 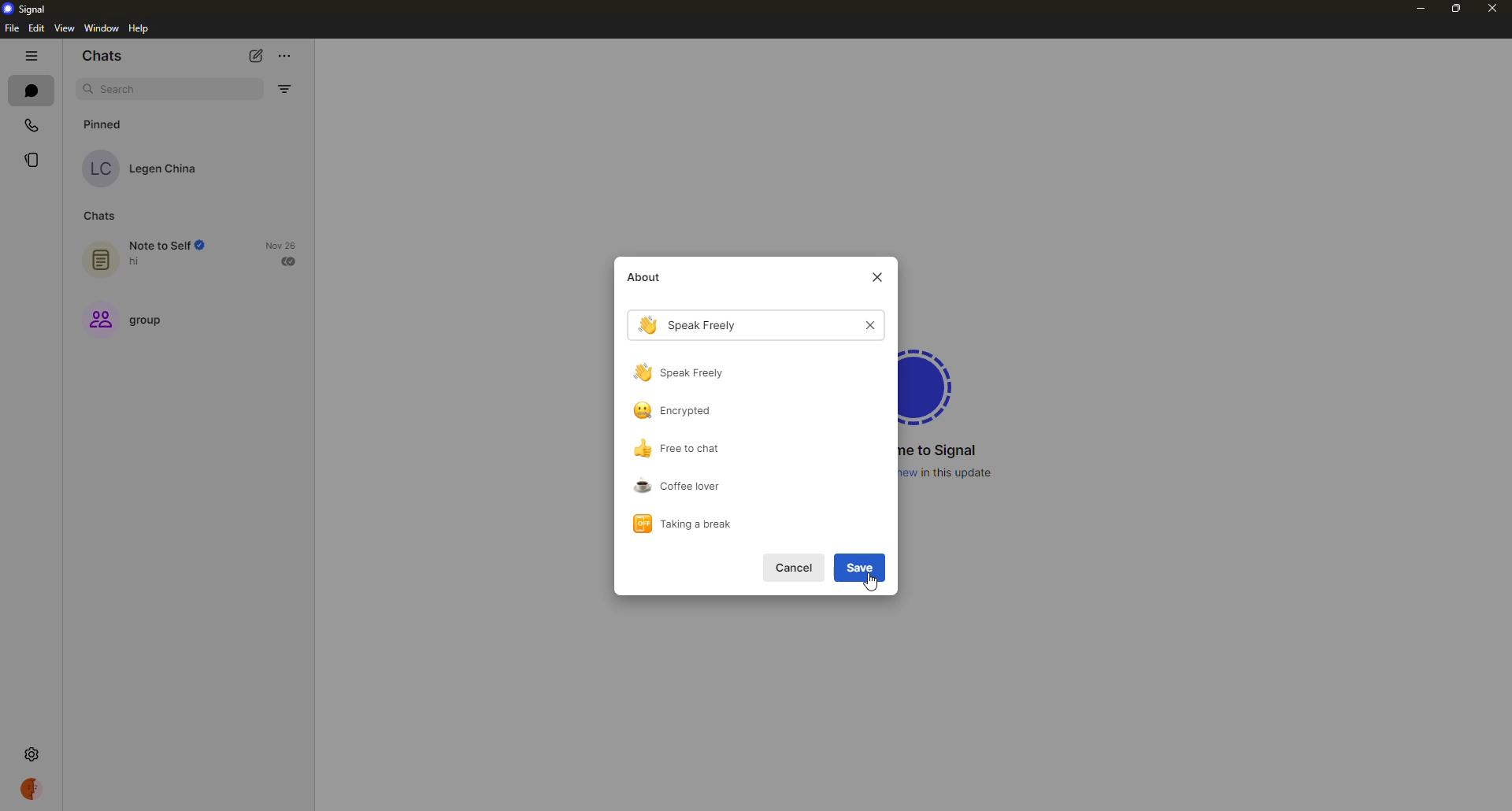 What do you see at coordinates (104, 57) in the screenshot?
I see `chats` at bounding box center [104, 57].